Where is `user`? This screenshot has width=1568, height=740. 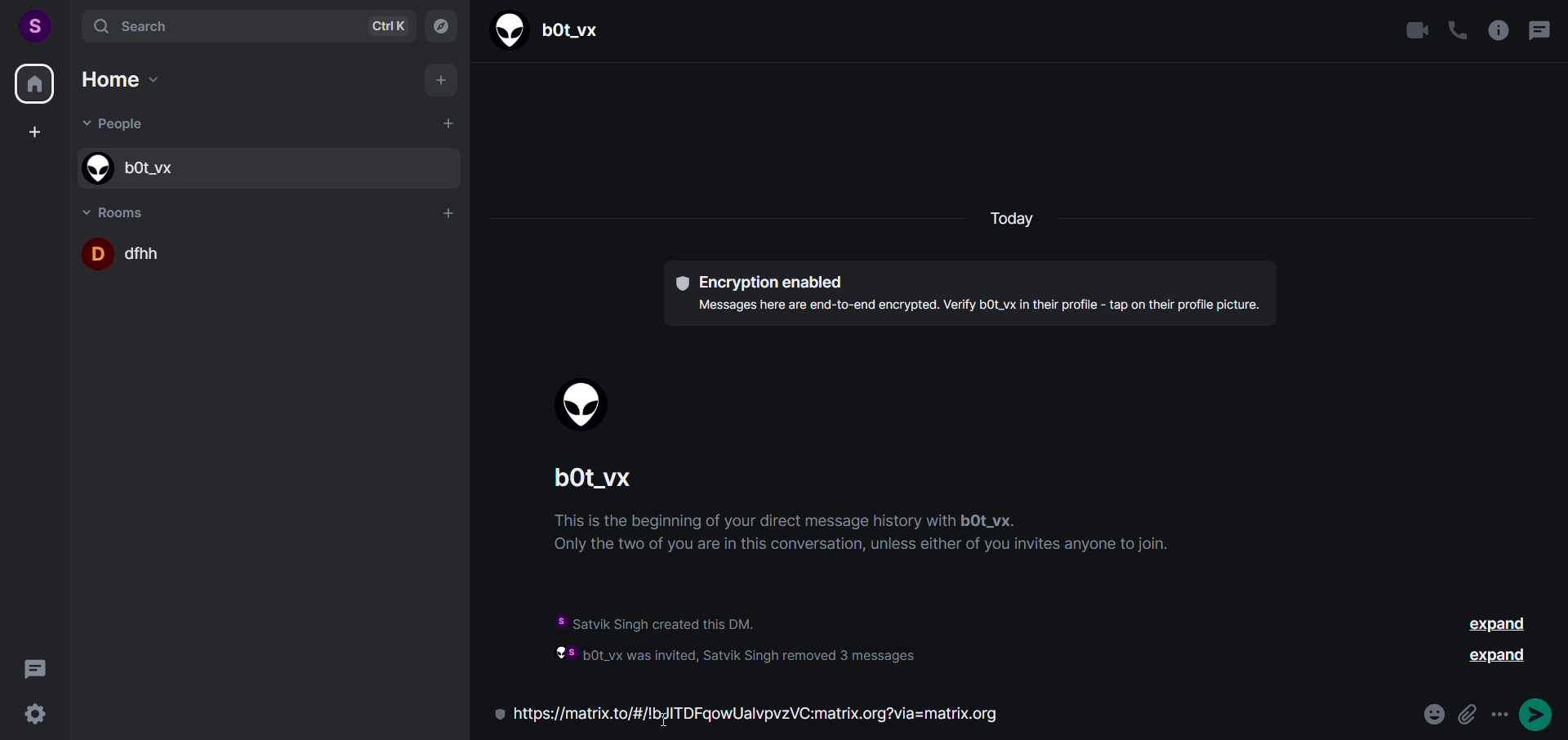 user is located at coordinates (33, 24).